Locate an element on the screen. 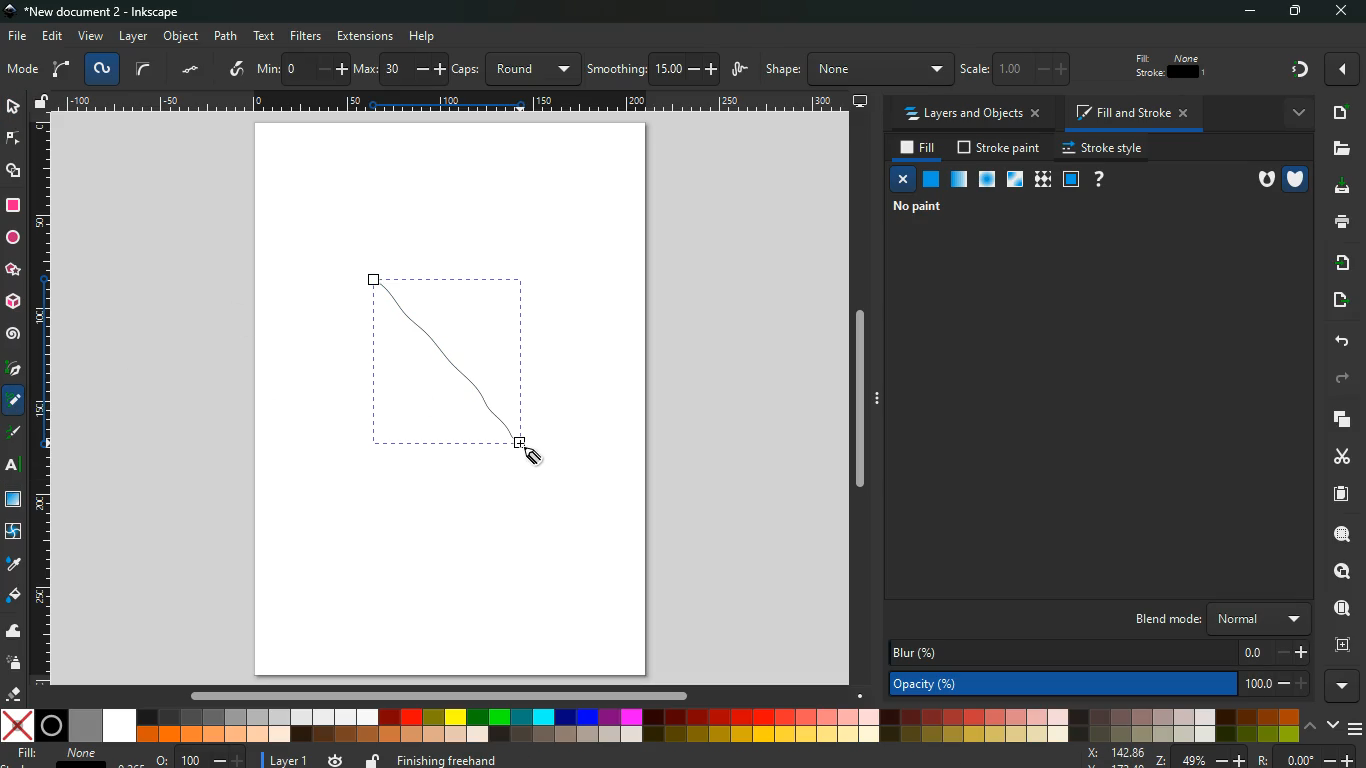   is located at coordinates (423, 35).